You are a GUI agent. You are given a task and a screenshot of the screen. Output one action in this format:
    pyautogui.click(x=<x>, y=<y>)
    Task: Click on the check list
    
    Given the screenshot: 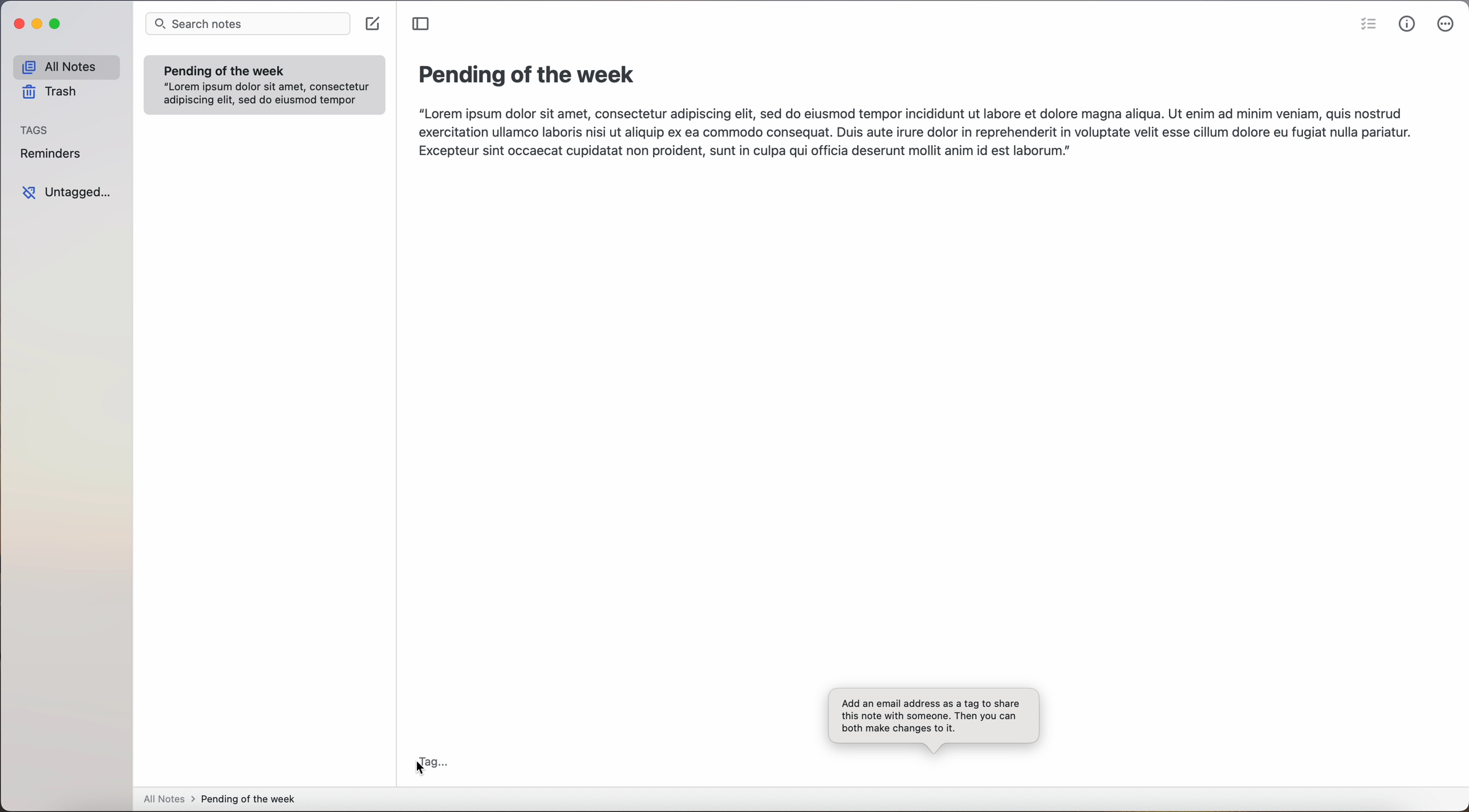 What is the action you would take?
    pyautogui.click(x=1365, y=25)
    